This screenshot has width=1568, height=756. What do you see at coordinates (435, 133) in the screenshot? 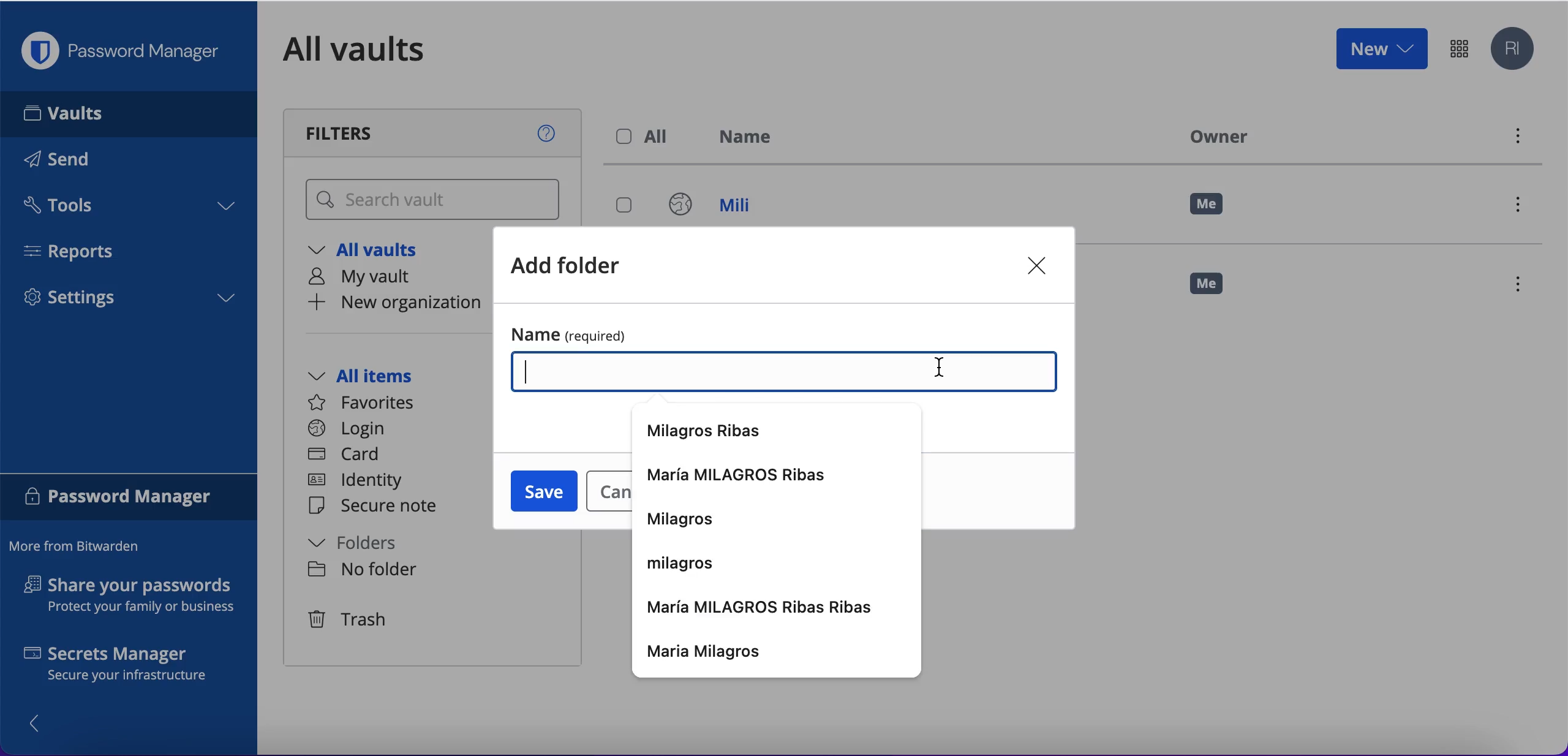
I see `filters` at bounding box center [435, 133].